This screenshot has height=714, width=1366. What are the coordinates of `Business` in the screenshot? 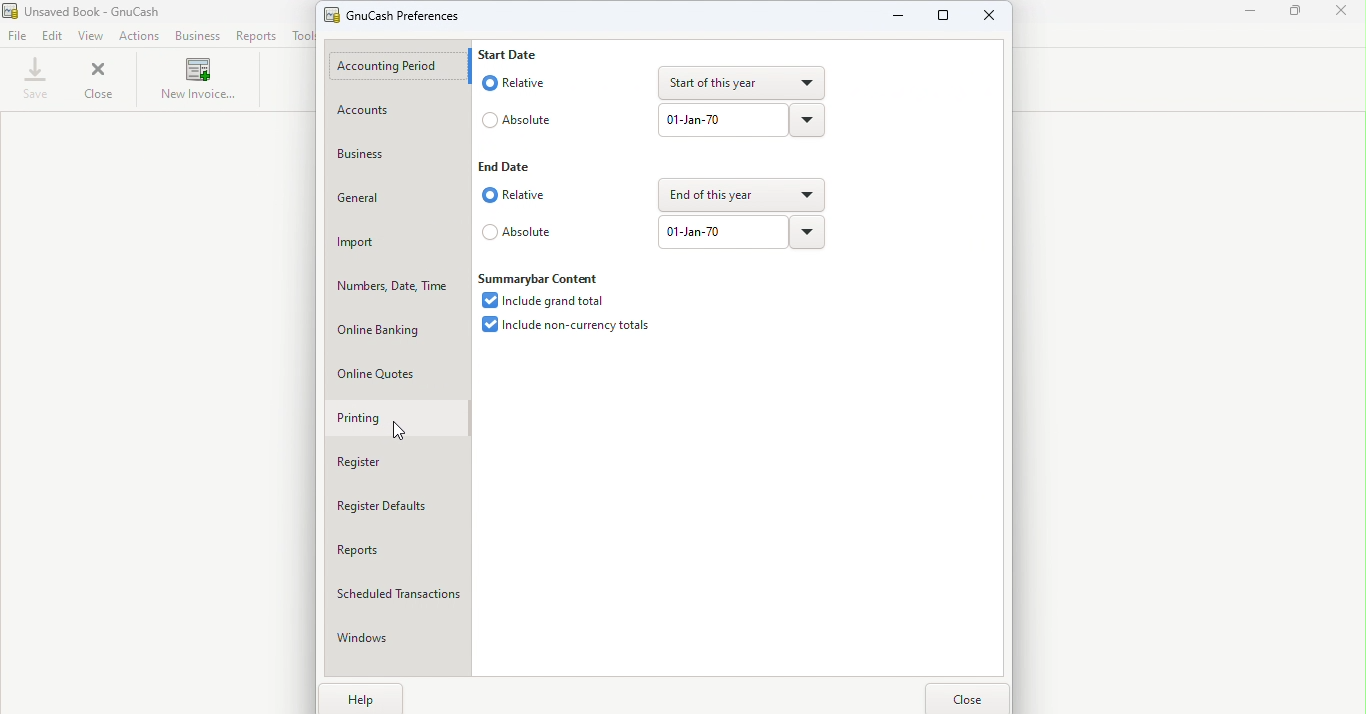 It's located at (399, 155).